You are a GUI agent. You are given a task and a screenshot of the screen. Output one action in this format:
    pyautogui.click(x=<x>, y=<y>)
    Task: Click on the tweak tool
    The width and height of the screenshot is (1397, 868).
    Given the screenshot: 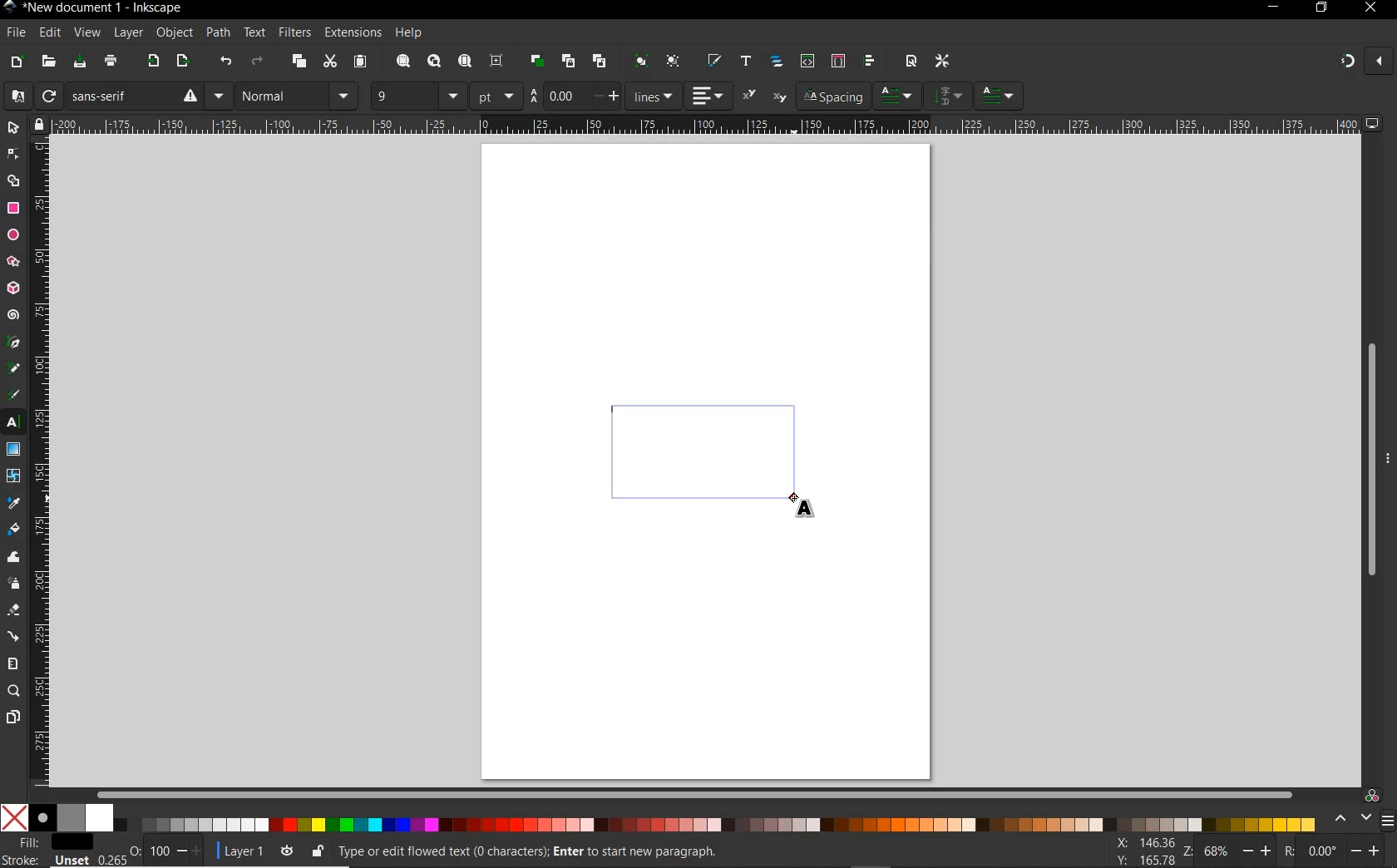 What is the action you would take?
    pyautogui.click(x=14, y=558)
    